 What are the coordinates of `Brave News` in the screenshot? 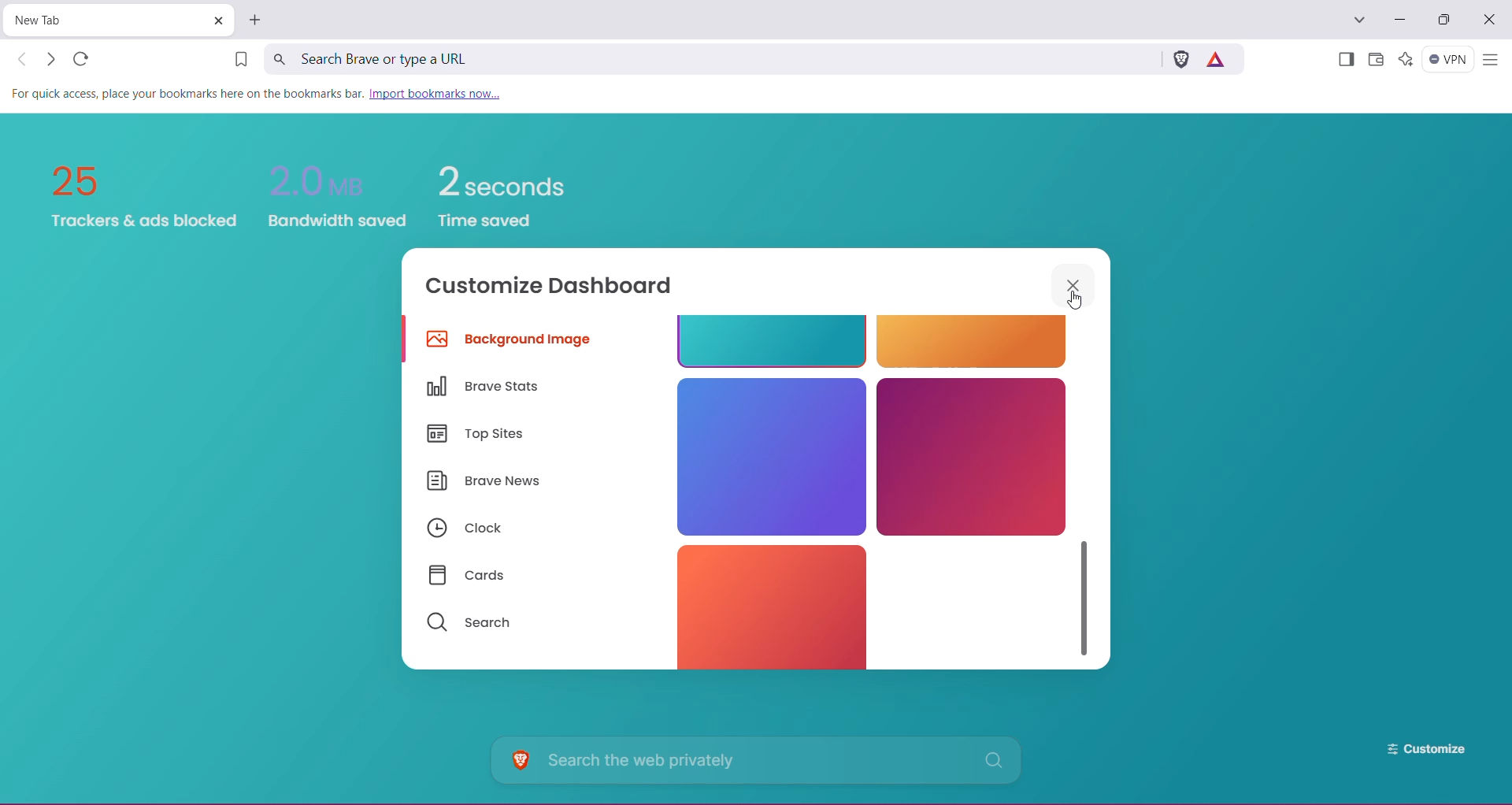 It's located at (484, 483).